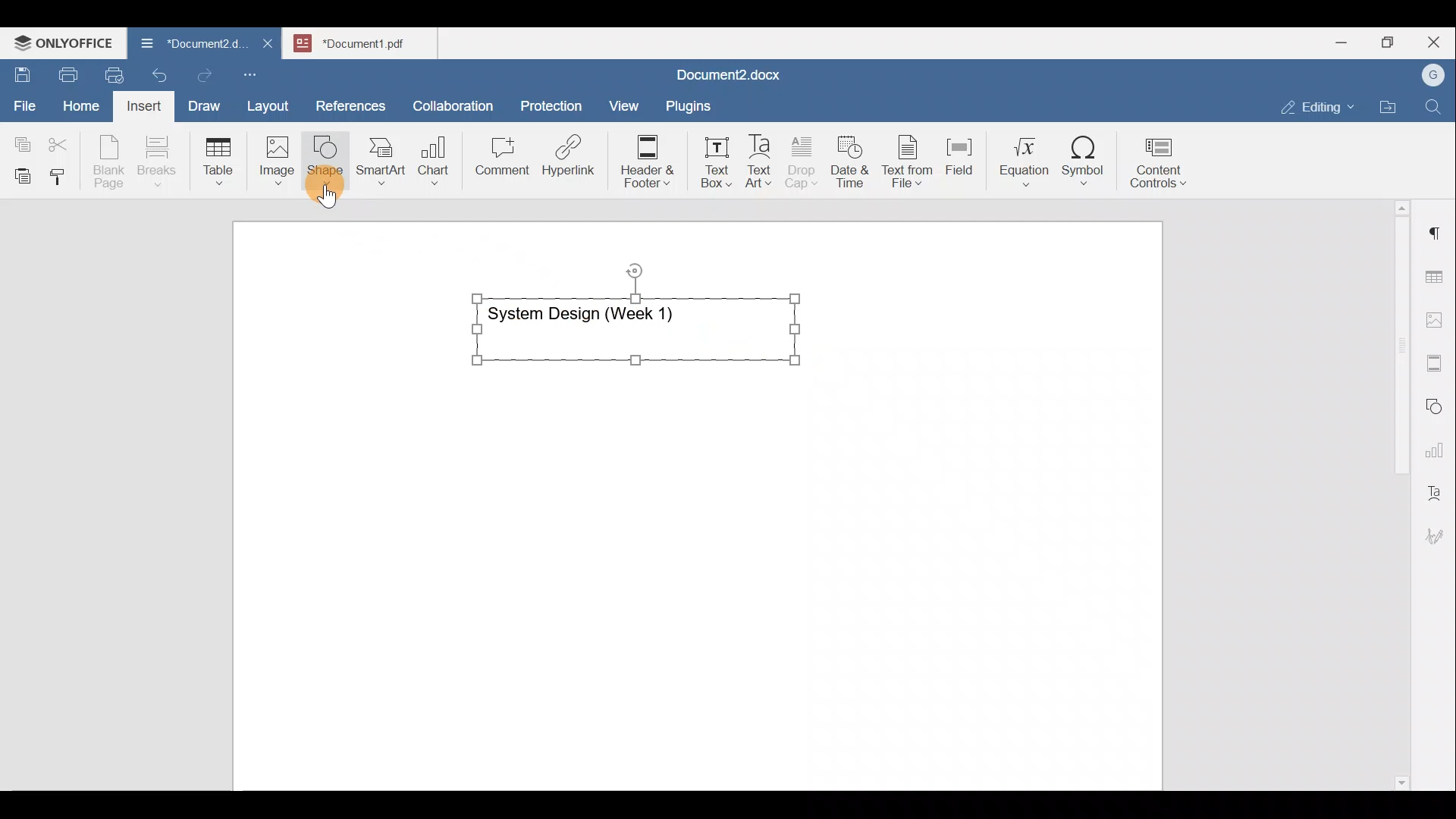  I want to click on Home, so click(82, 105).